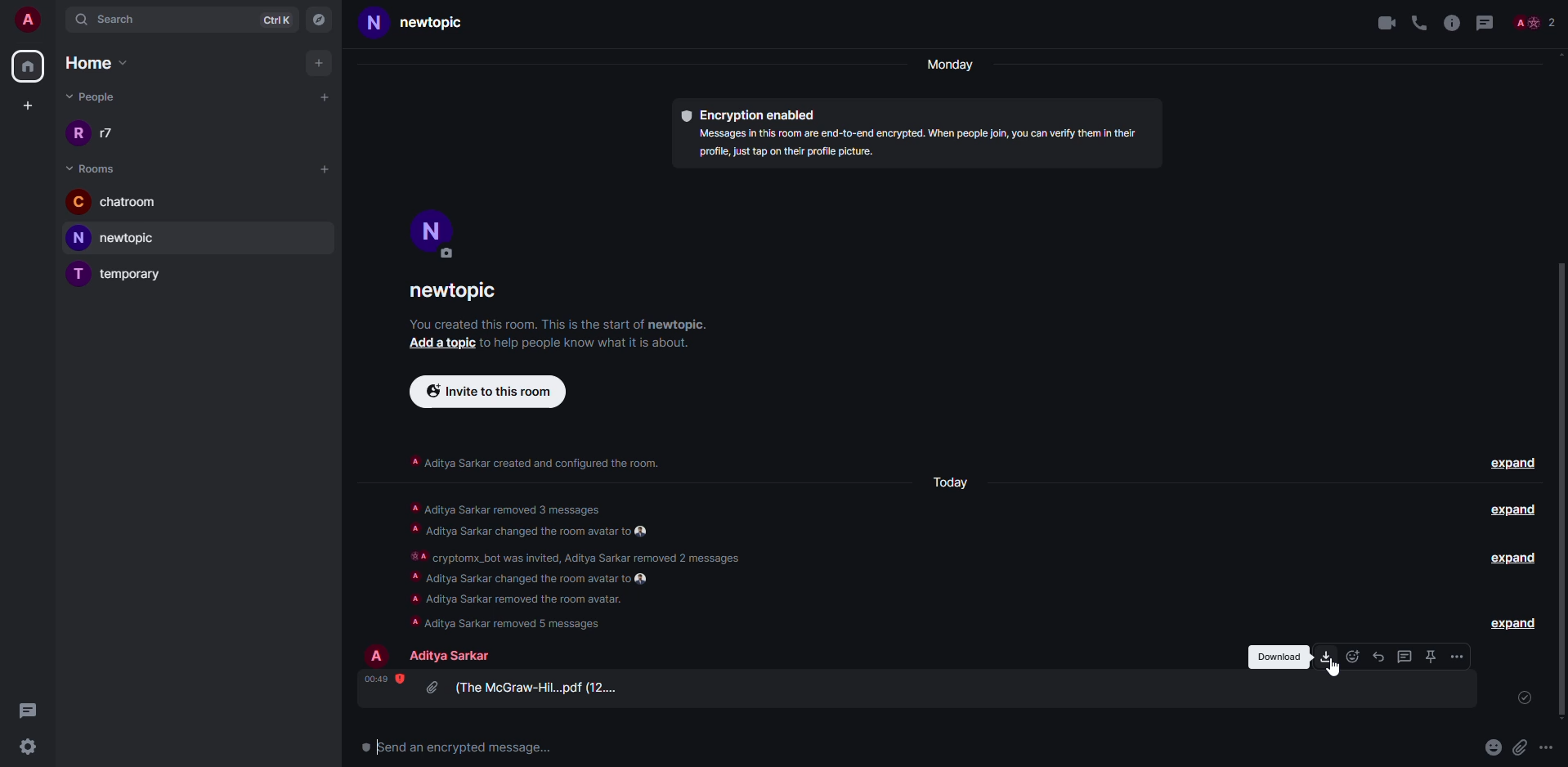 This screenshot has height=767, width=1568. Describe the element at coordinates (1512, 622) in the screenshot. I see `expand` at that location.